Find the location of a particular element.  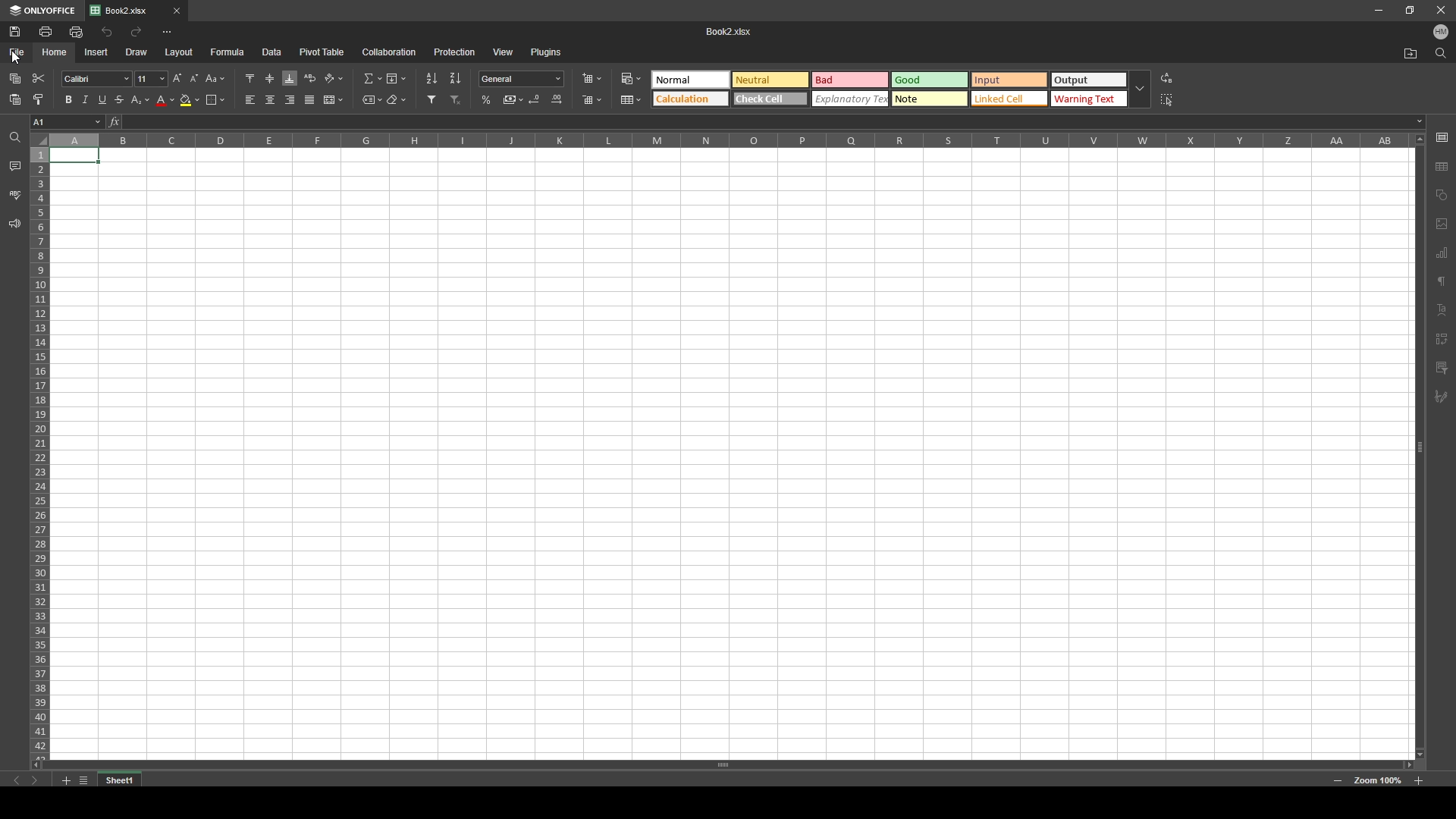

insert cells is located at coordinates (591, 78).